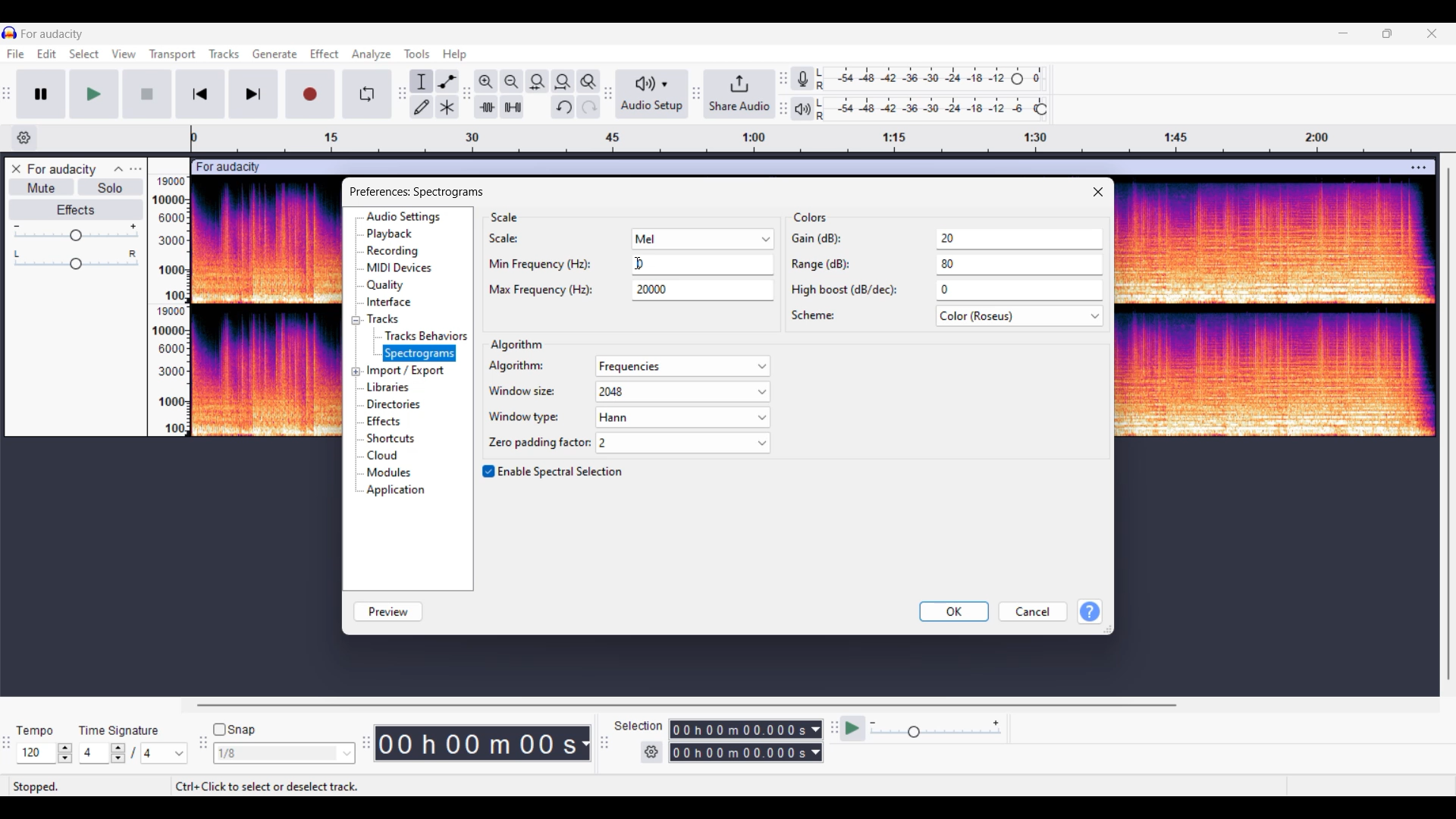 This screenshot has width=1456, height=819. Describe the element at coordinates (455, 55) in the screenshot. I see `Help menu` at that location.